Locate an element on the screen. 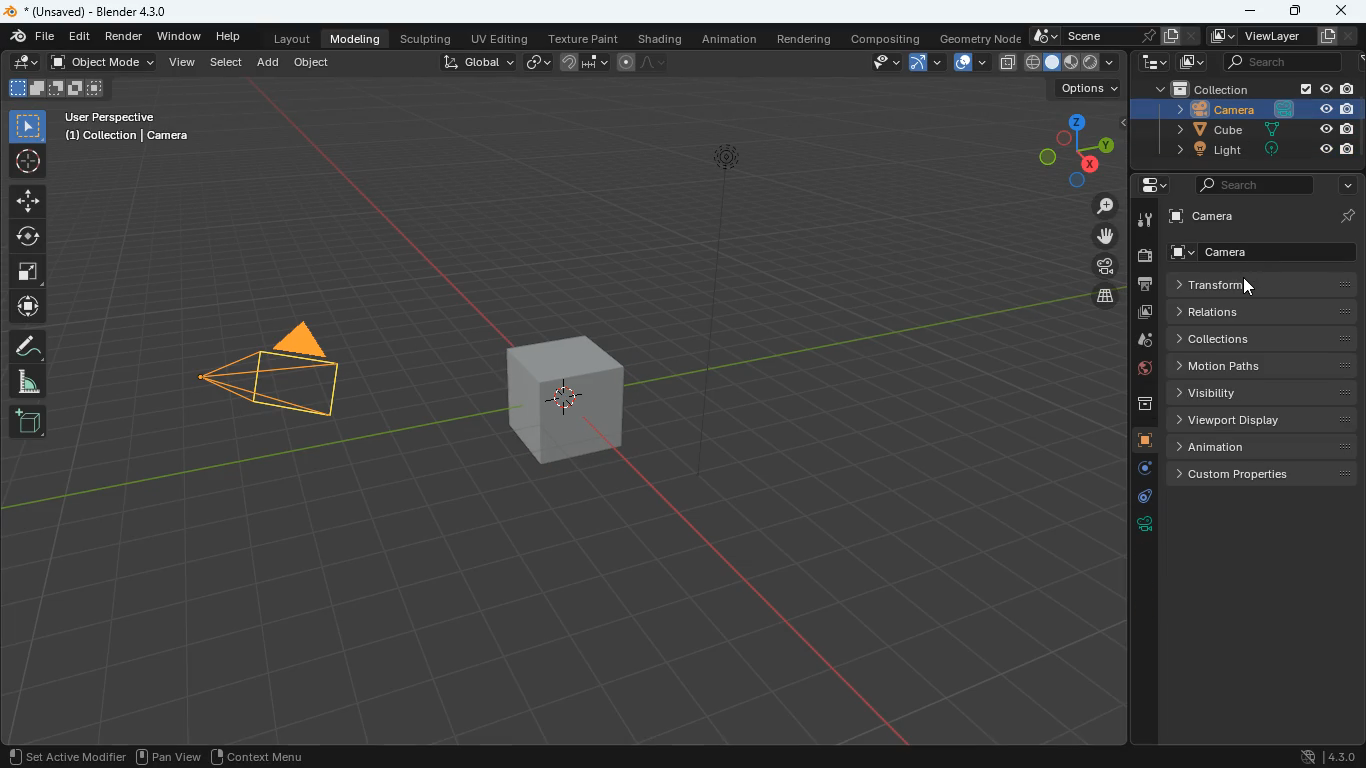  view is located at coordinates (877, 63).